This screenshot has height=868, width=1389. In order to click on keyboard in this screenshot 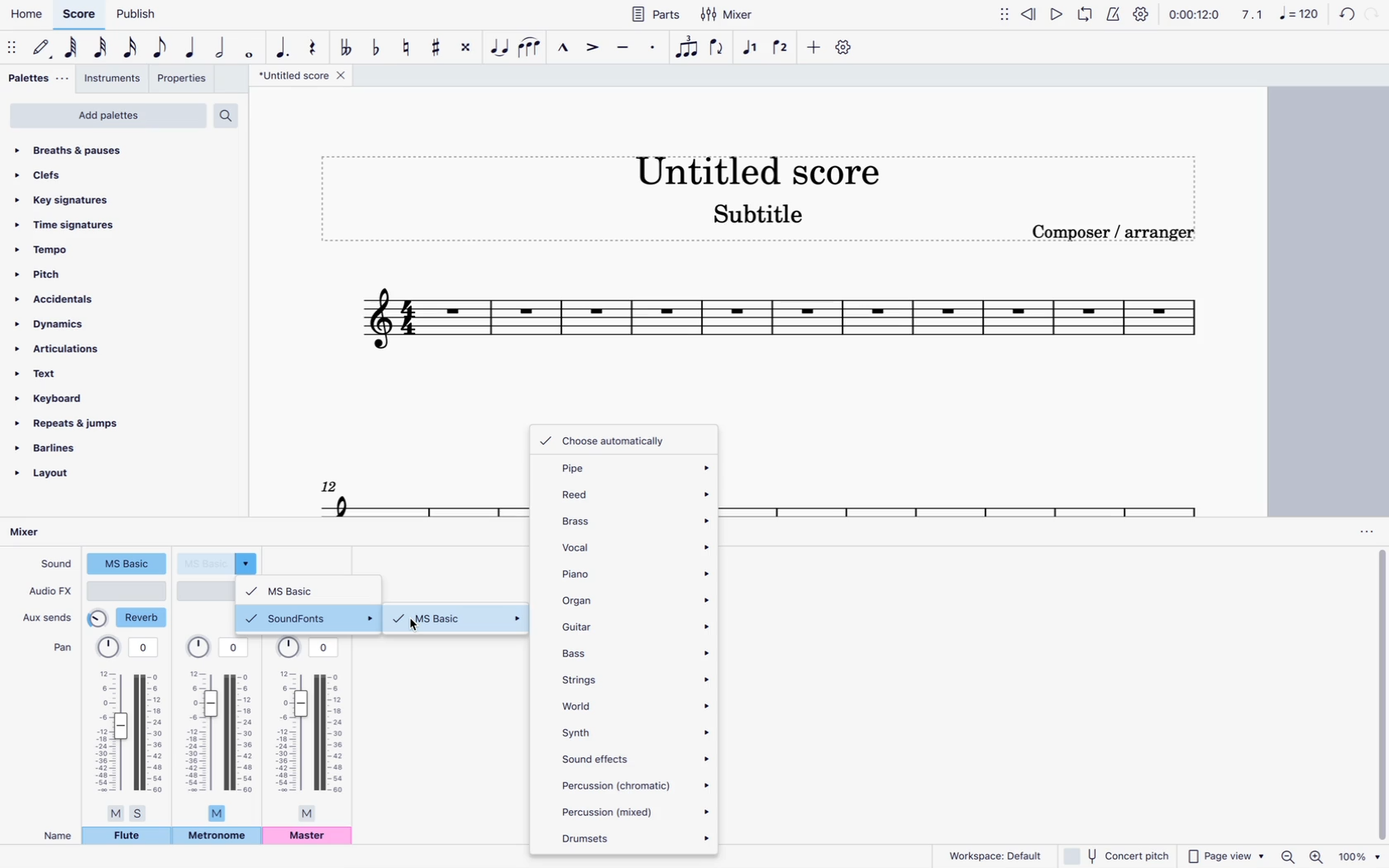, I will do `click(94, 398)`.